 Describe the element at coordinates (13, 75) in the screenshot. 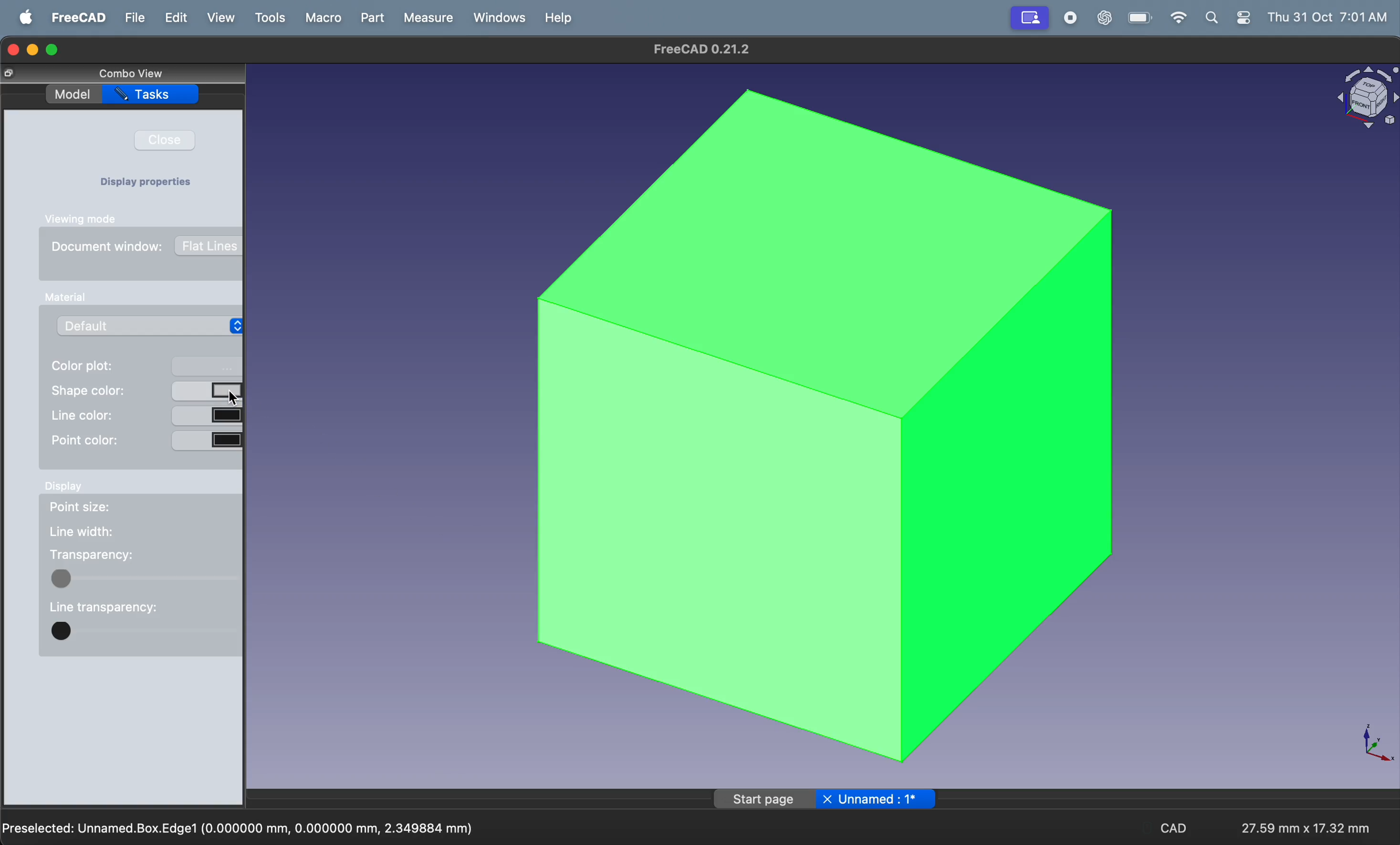

I see `copy` at that location.